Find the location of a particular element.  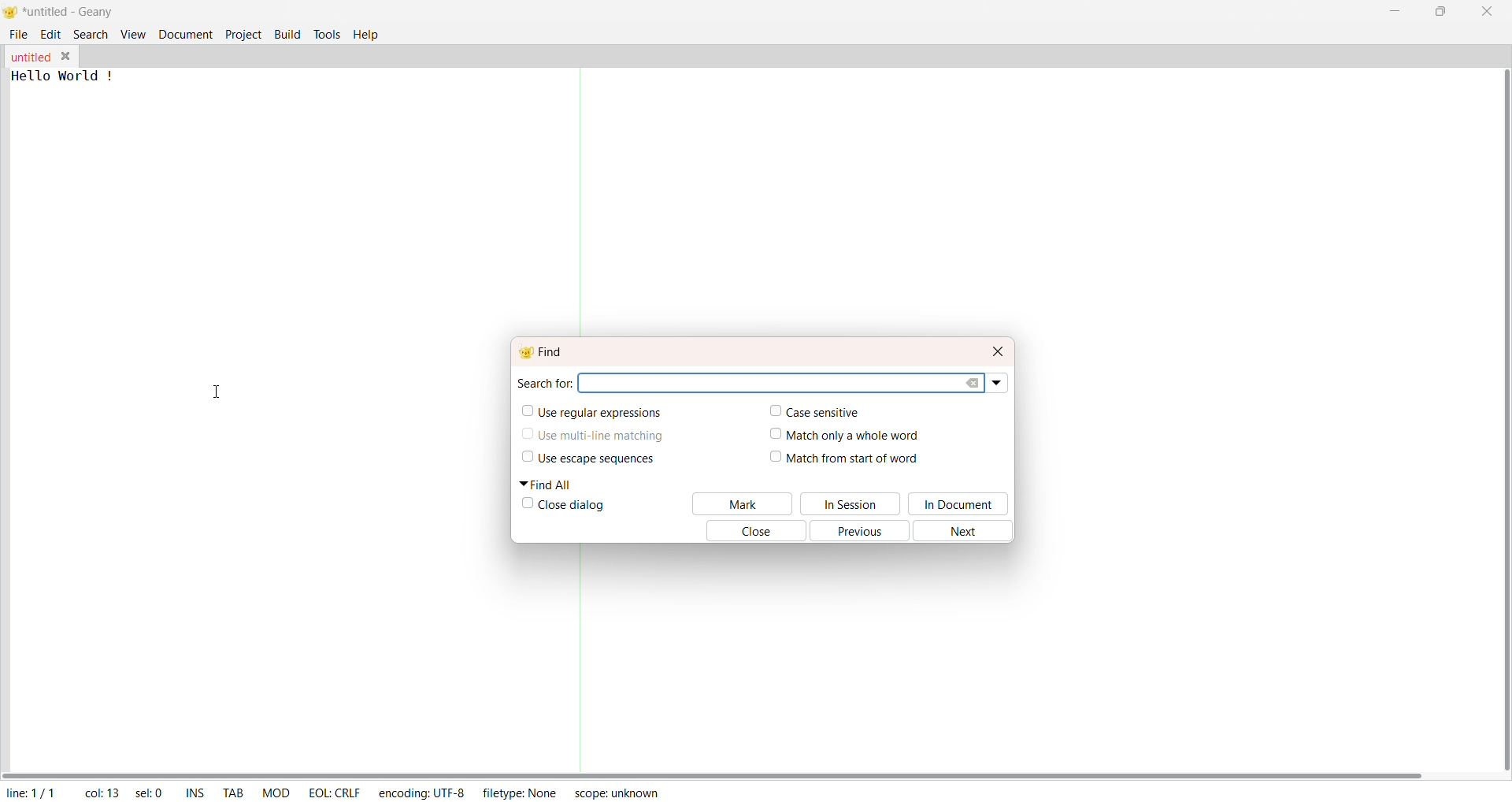

Filtertype is located at coordinates (524, 794).